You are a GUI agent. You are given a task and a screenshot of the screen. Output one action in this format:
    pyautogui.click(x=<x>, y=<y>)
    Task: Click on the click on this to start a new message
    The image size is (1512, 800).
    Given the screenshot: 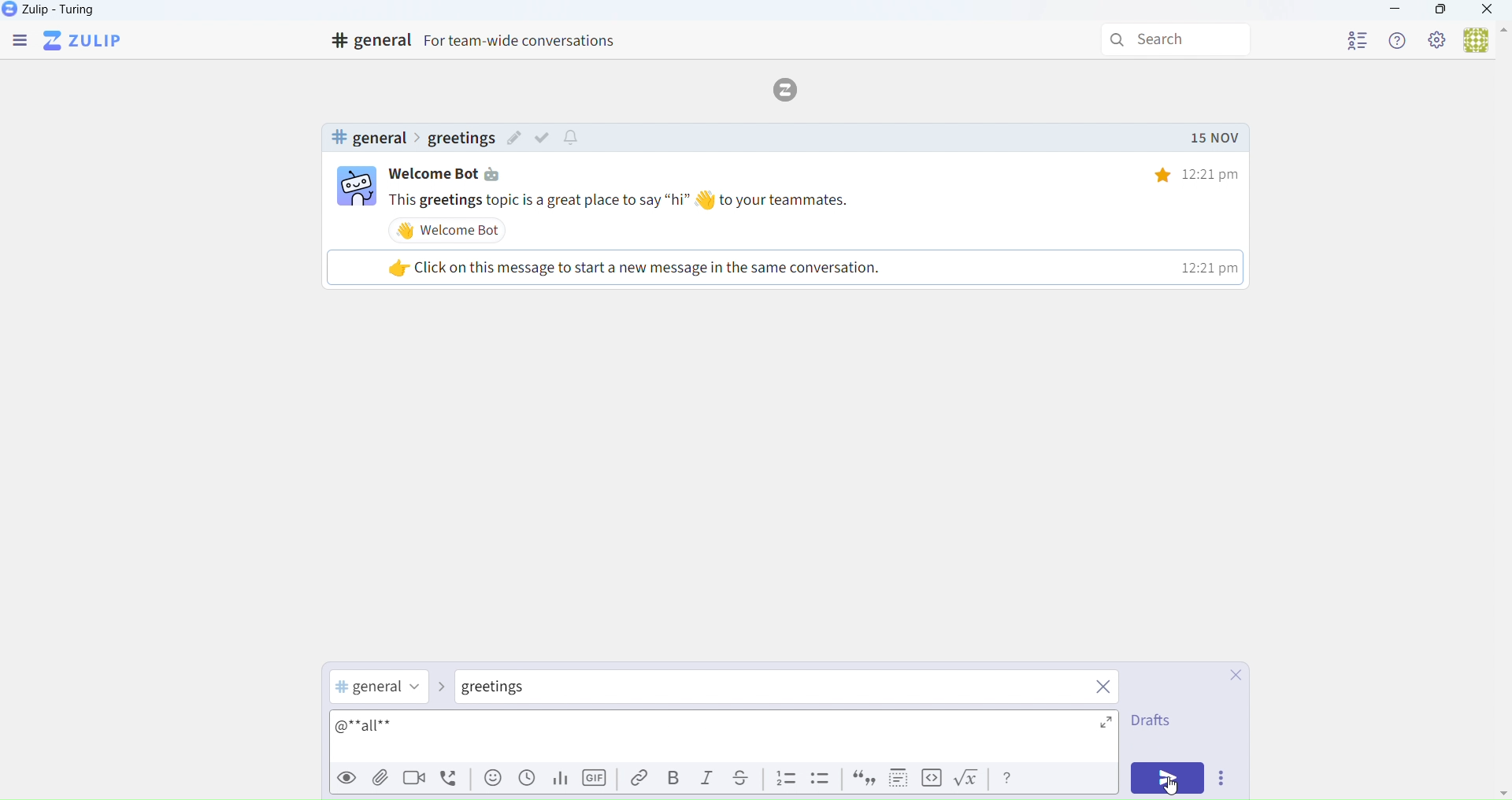 What is the action you would take?
    pyautogui.click(x=782, y=267)
    